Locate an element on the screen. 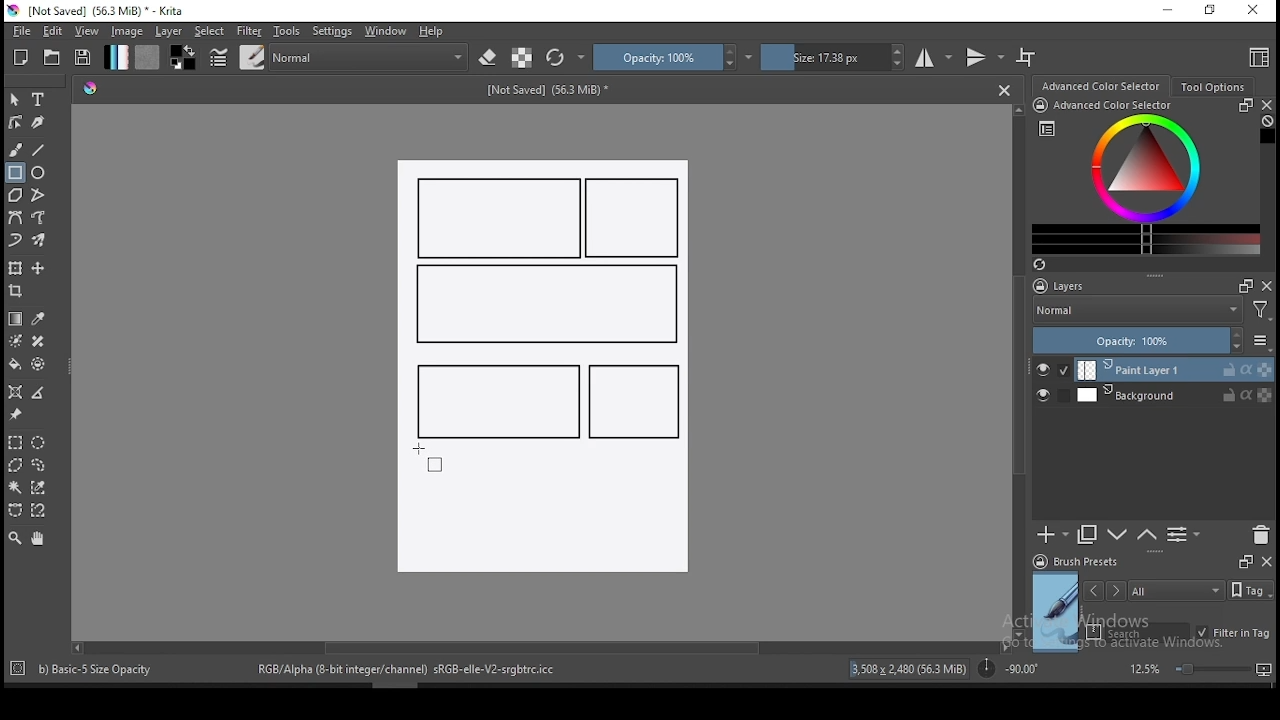 Image resolution: width=1280 pixels, height=720 pixels. Frames is located at coordinates (1245, 561).